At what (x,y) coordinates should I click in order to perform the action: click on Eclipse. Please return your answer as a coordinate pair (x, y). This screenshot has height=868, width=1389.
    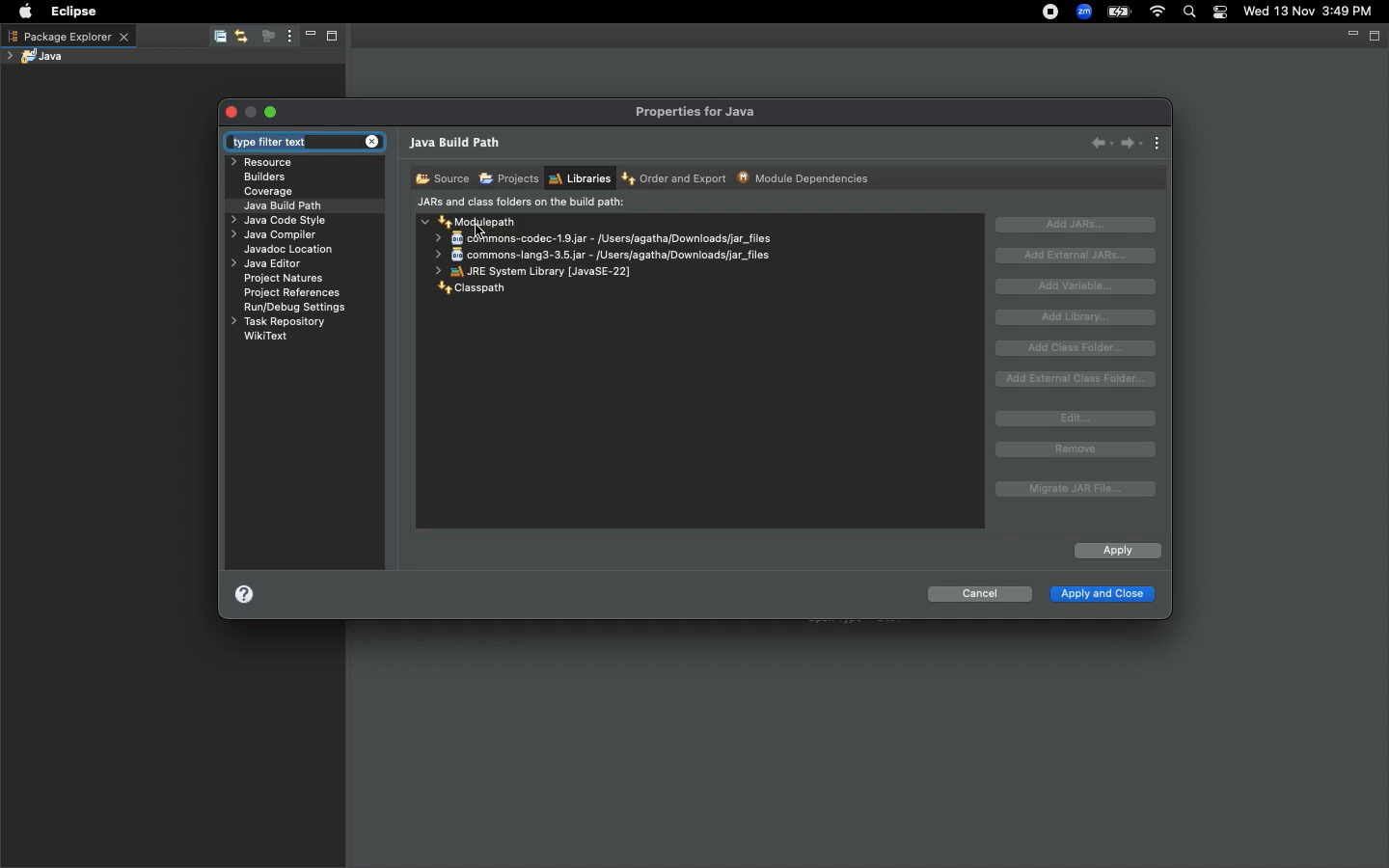
    Looking at the image, I should click on (69, 12).